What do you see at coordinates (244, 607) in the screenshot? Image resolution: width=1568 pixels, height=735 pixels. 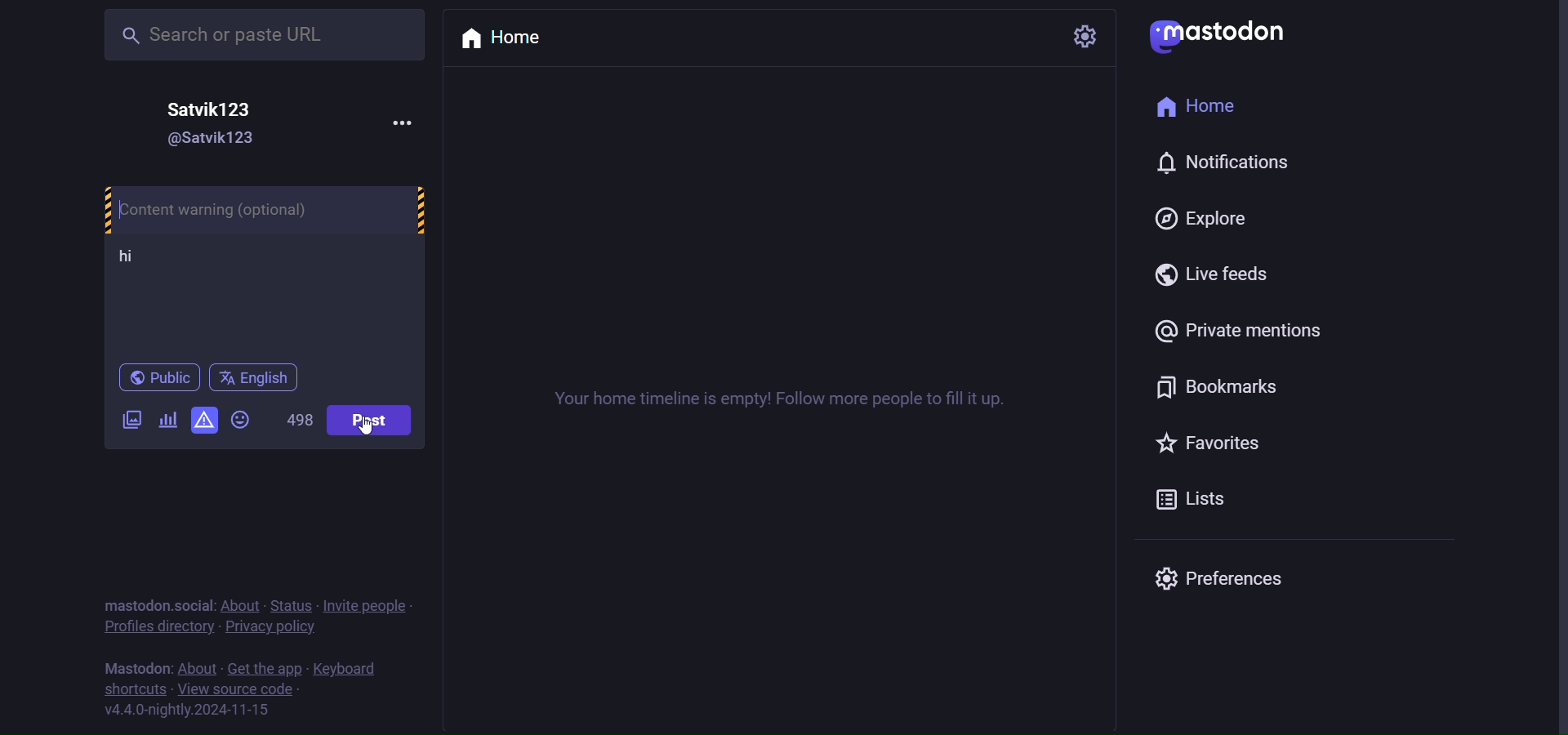 I see `about` at bounding box center [244, 607].